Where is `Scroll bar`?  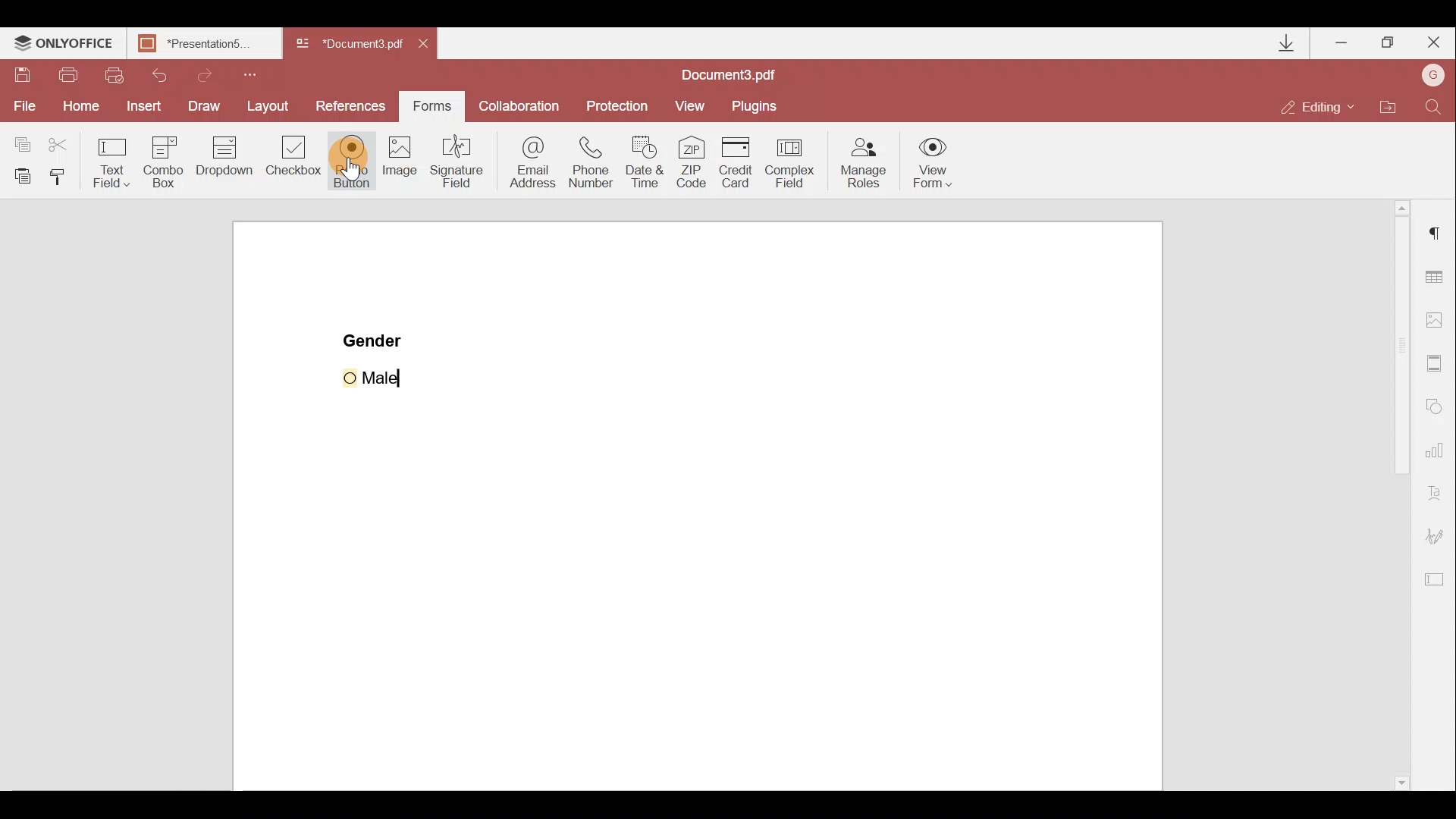 Scroll bar is located at coordinates (1389, 496).